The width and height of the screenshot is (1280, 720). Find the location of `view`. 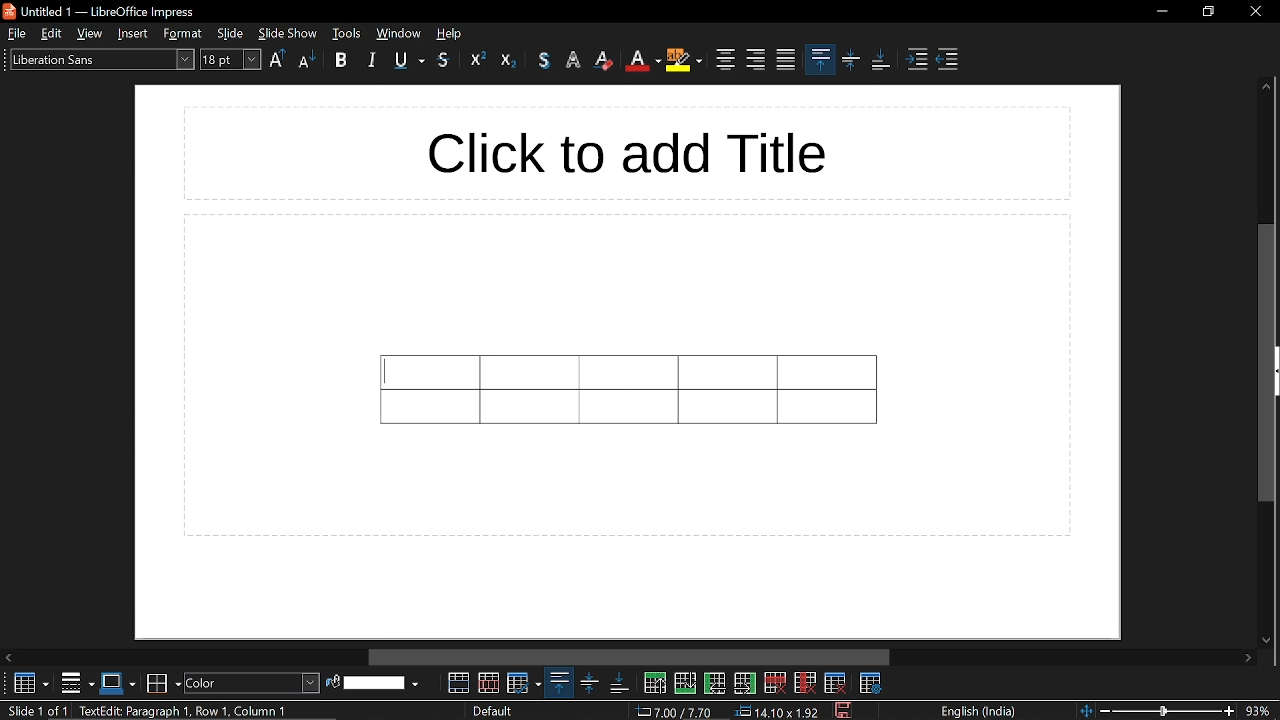

view is located at coordinates (91, 33).